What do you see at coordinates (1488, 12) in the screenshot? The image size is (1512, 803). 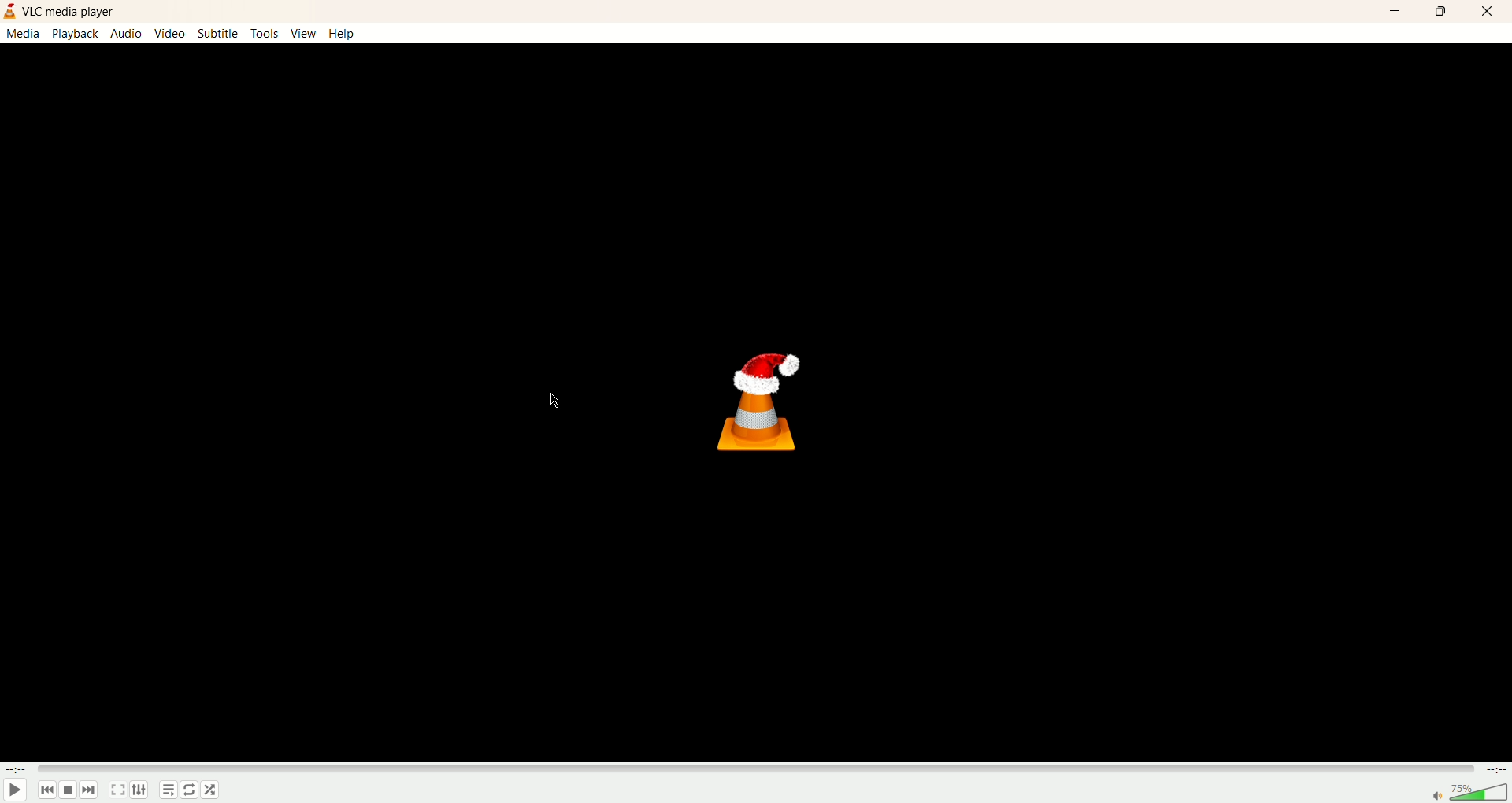 I see `close` at bounding box center [1488, 12].